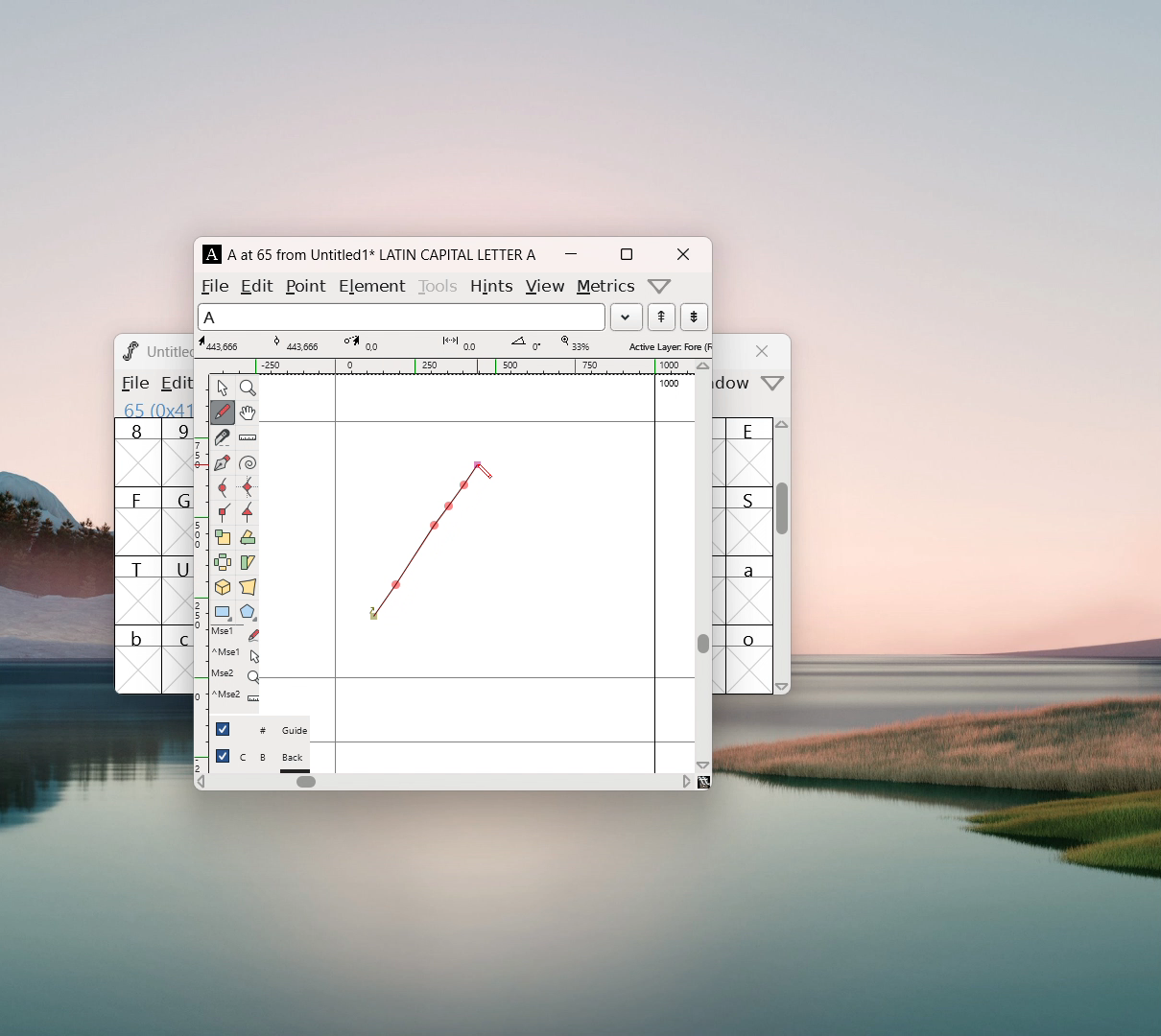 The width and height of the screenshot is (1161, 1036). I want to click on cursor, so click(485, 472).